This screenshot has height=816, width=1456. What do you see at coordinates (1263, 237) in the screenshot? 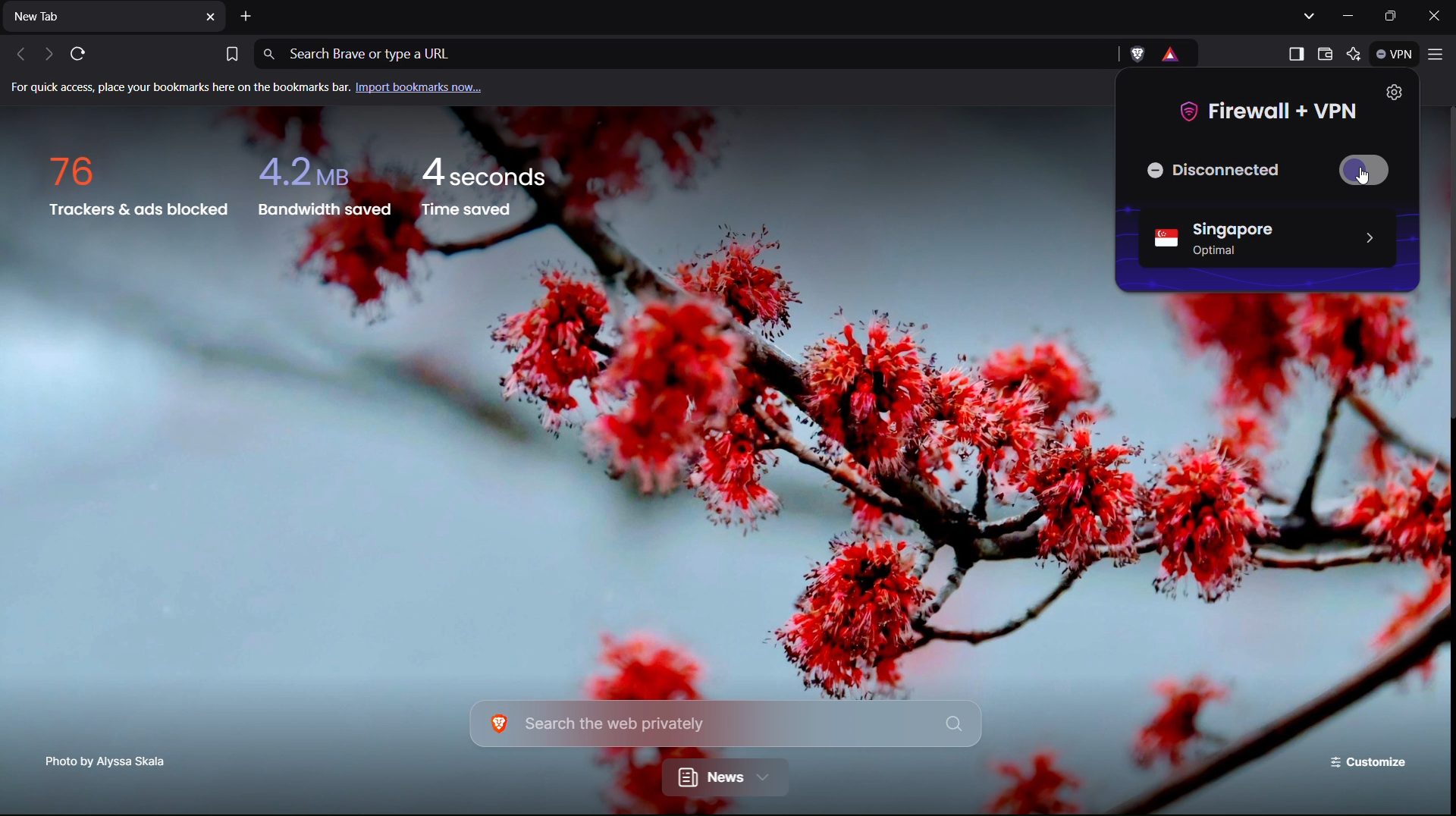
I see `Singapore Server` at bounding box center [1263, 237].